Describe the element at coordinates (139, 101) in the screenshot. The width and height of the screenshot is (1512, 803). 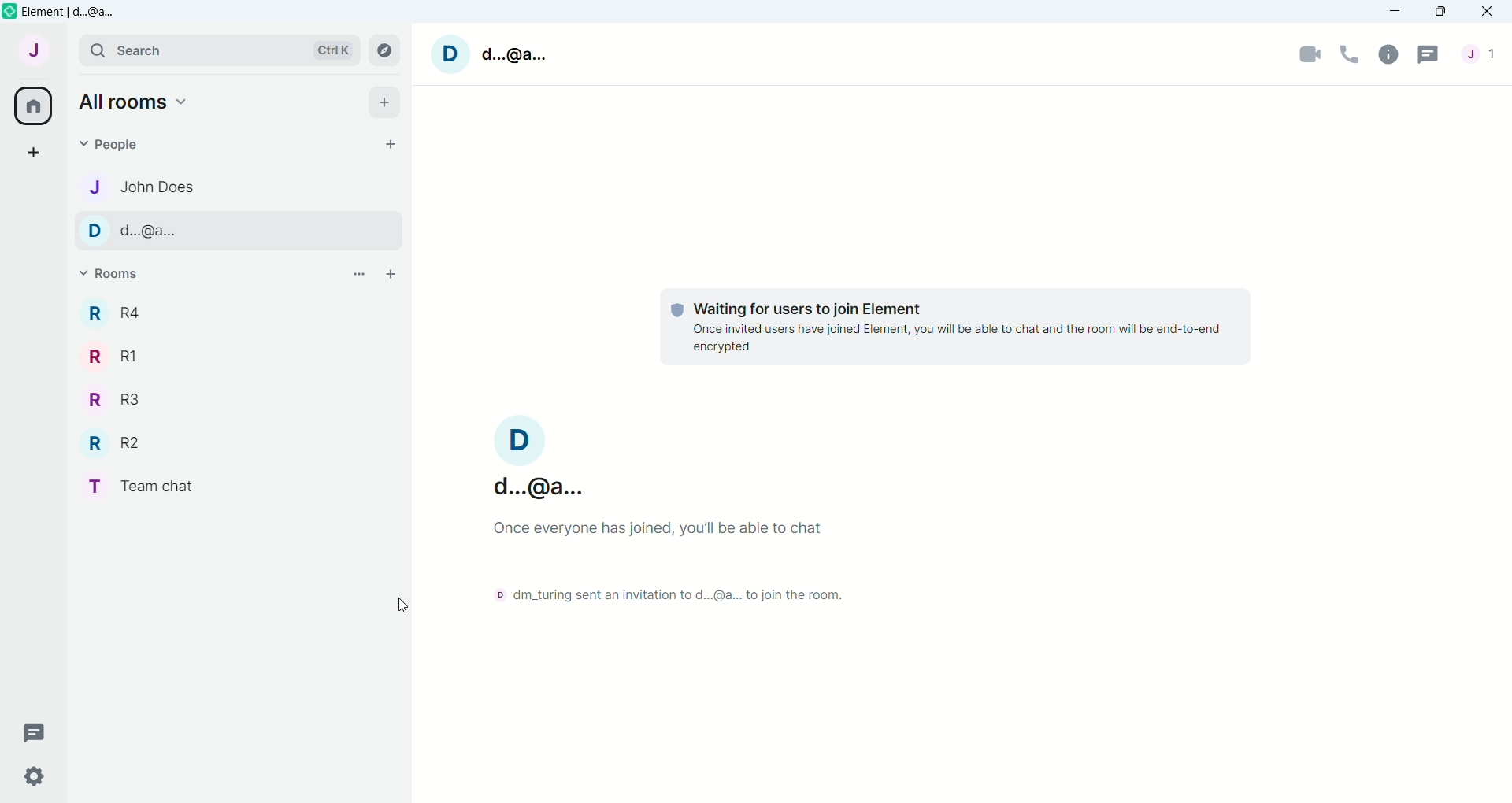
I see `Home options` at that location.